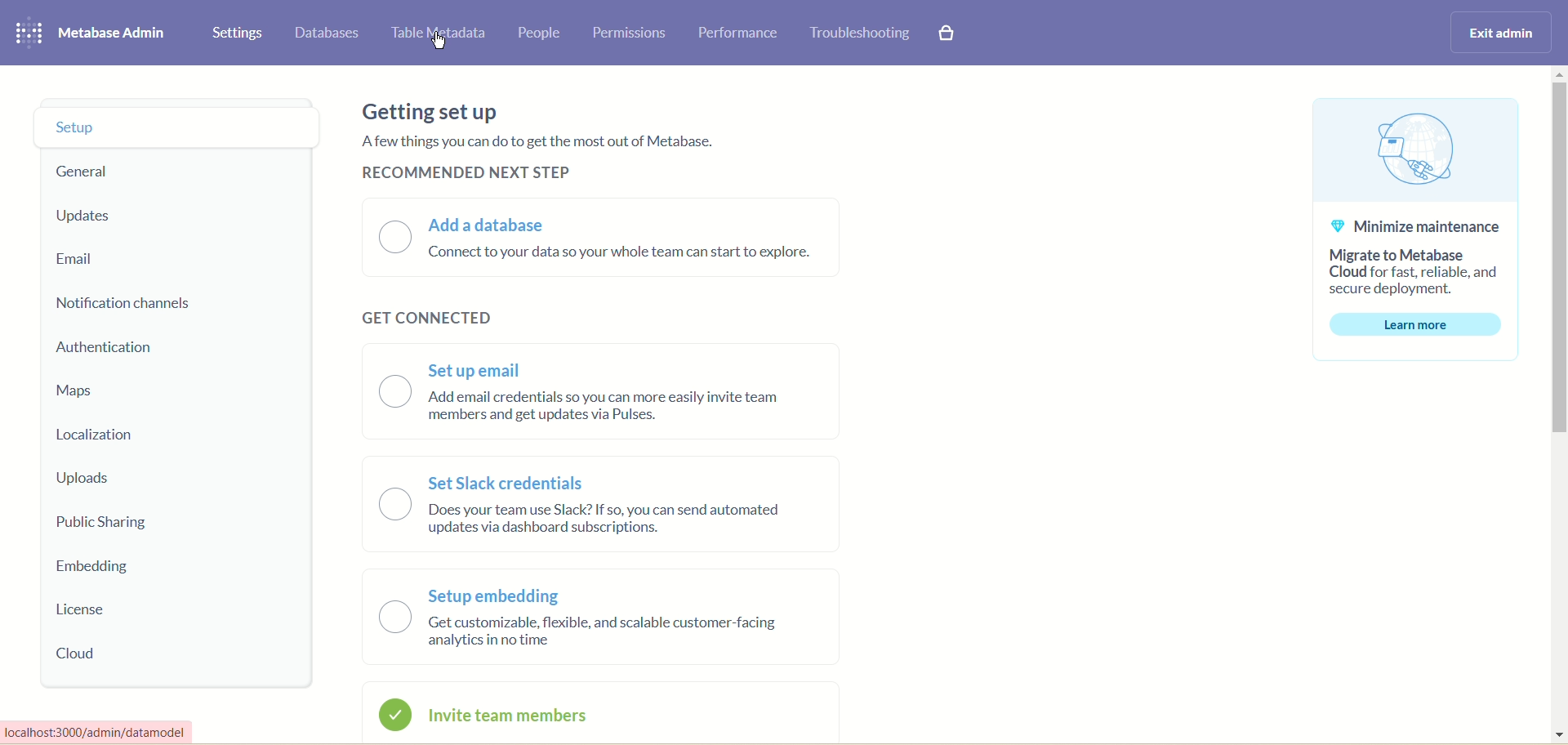  What do you see at coordinates (1415, 328) in the screenshot?
I see `learn more` at bounding box center [1415, 328].